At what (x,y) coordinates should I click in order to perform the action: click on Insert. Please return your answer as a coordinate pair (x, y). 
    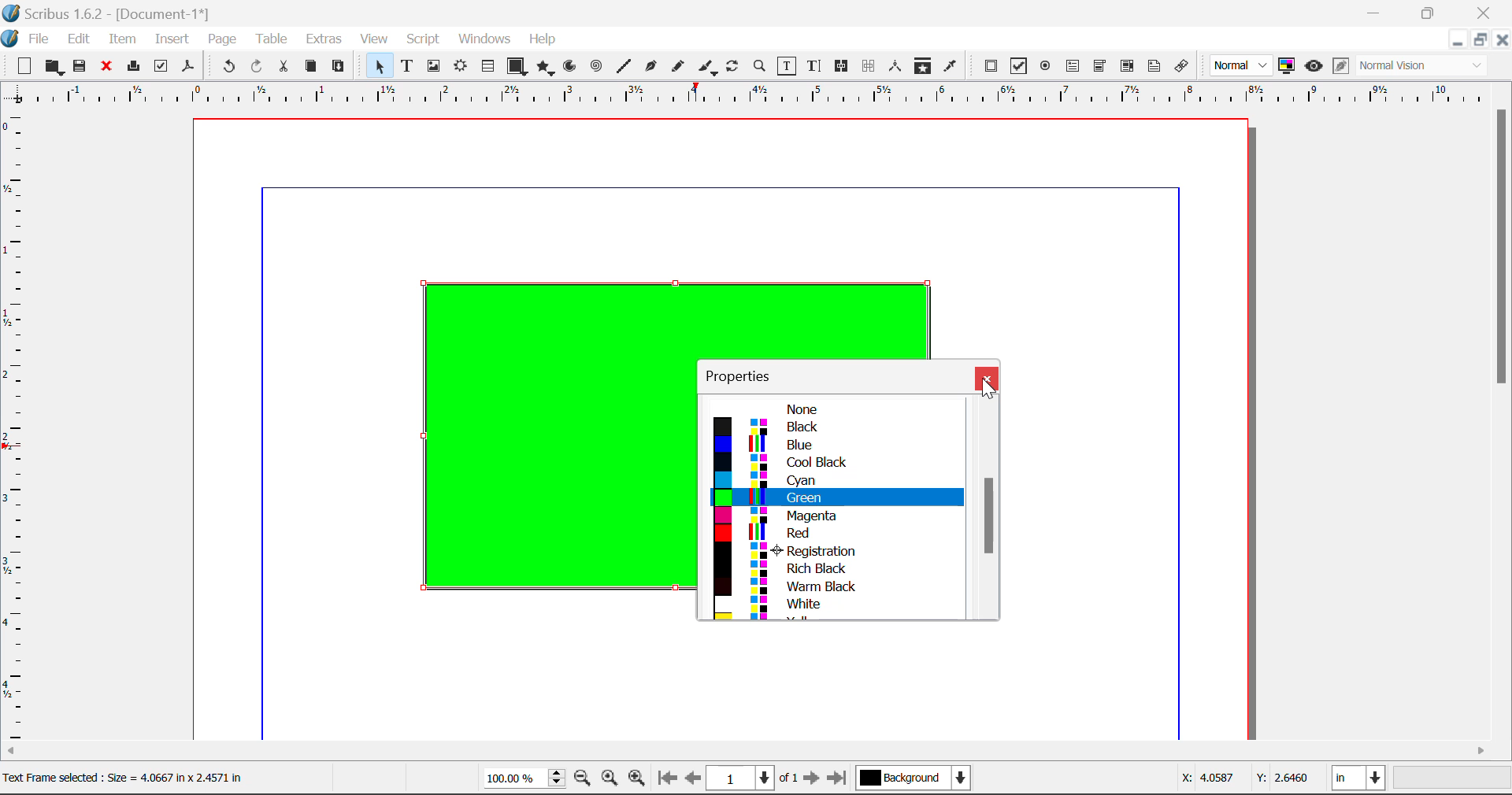
    Looking at the image, I should click on (171, 39).